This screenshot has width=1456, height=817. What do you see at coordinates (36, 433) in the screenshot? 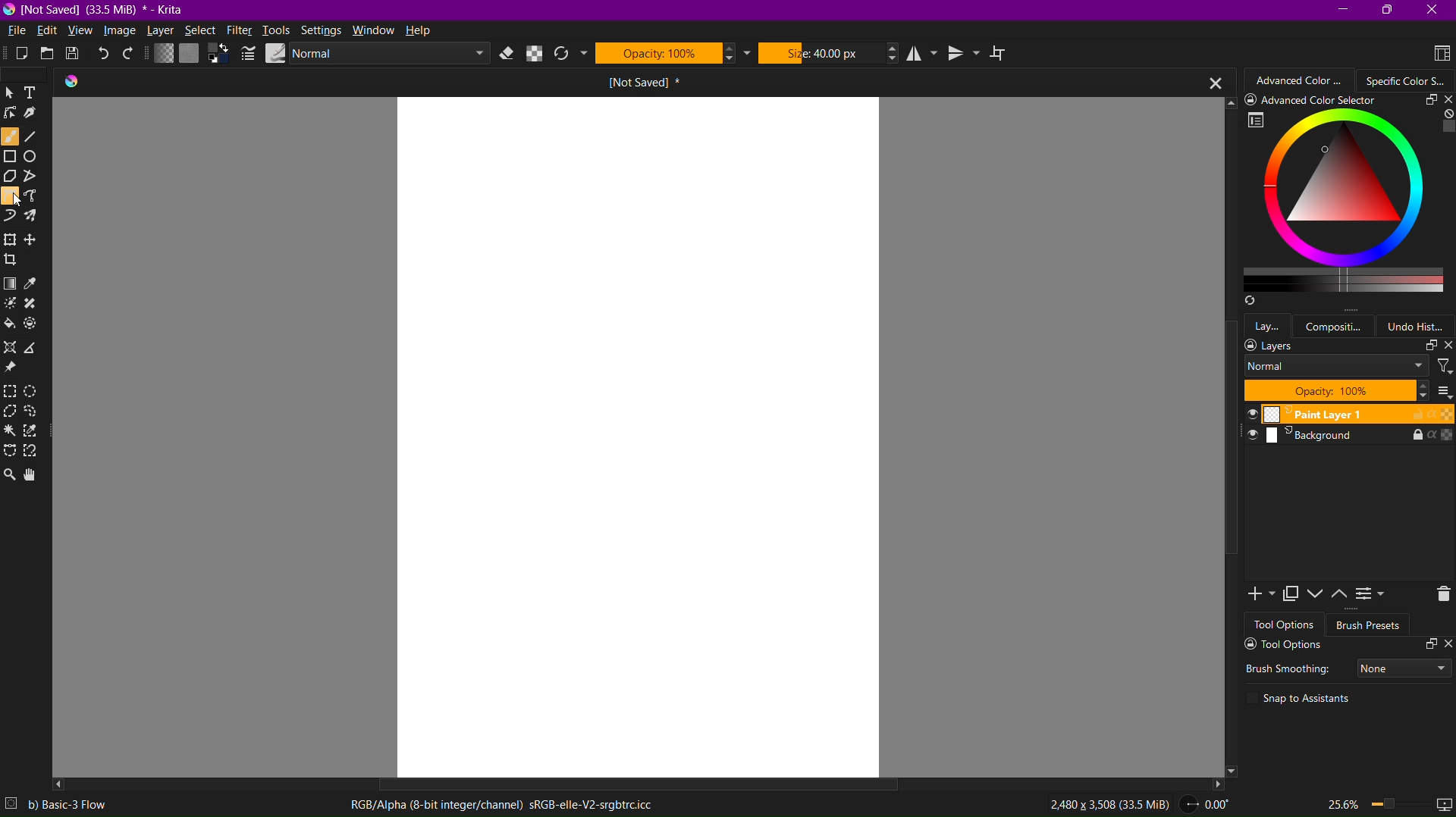
I see `Similar Color Selection Tool` at bounding box center [36, 433].